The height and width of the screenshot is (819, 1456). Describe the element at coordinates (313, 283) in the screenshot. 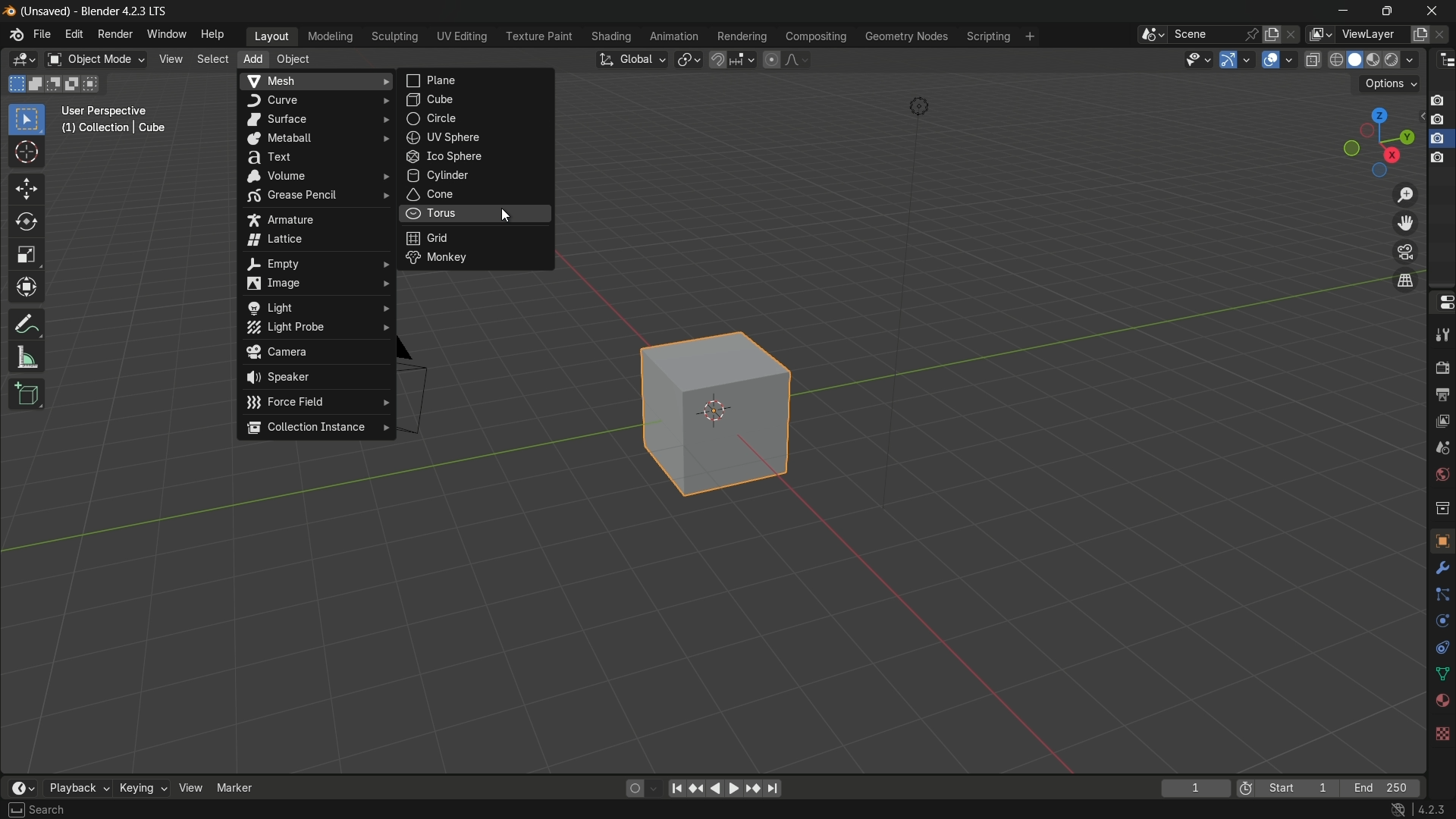

I see `image` at that location.